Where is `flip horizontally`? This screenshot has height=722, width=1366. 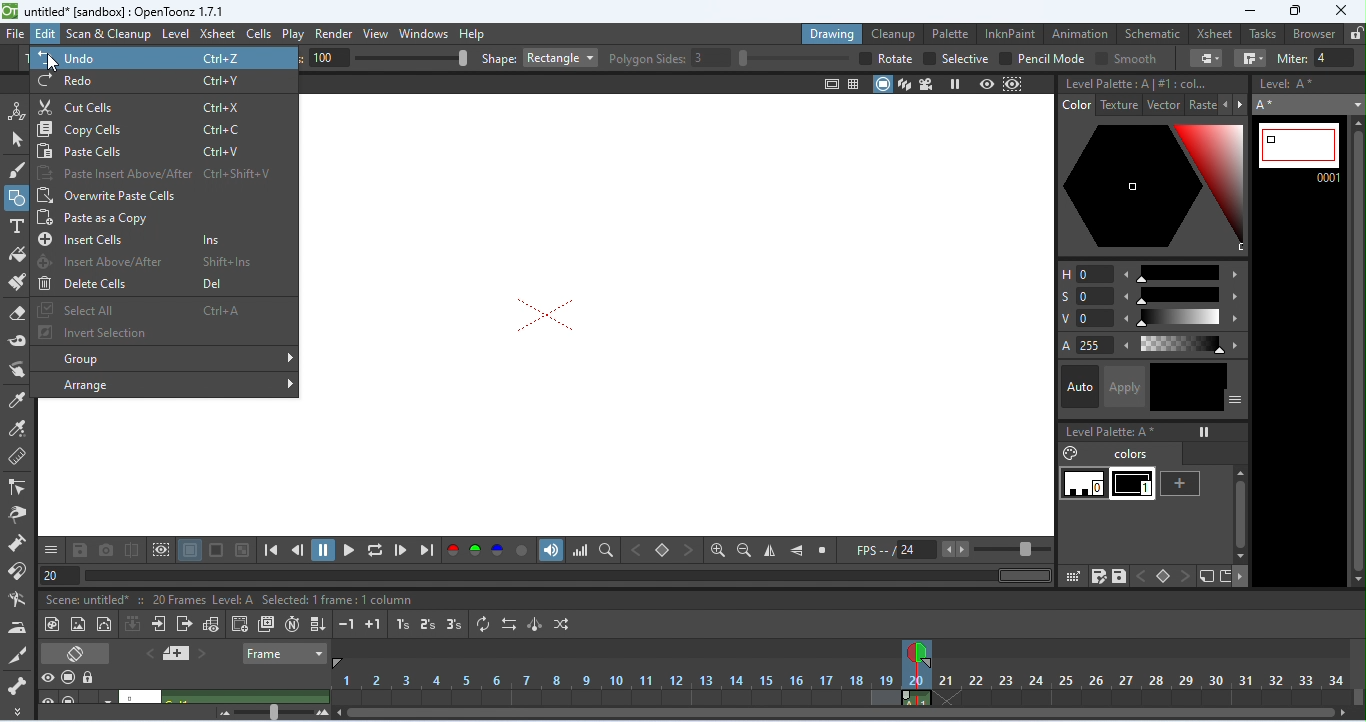
flip horizontally is located at coordinates (770, 551).